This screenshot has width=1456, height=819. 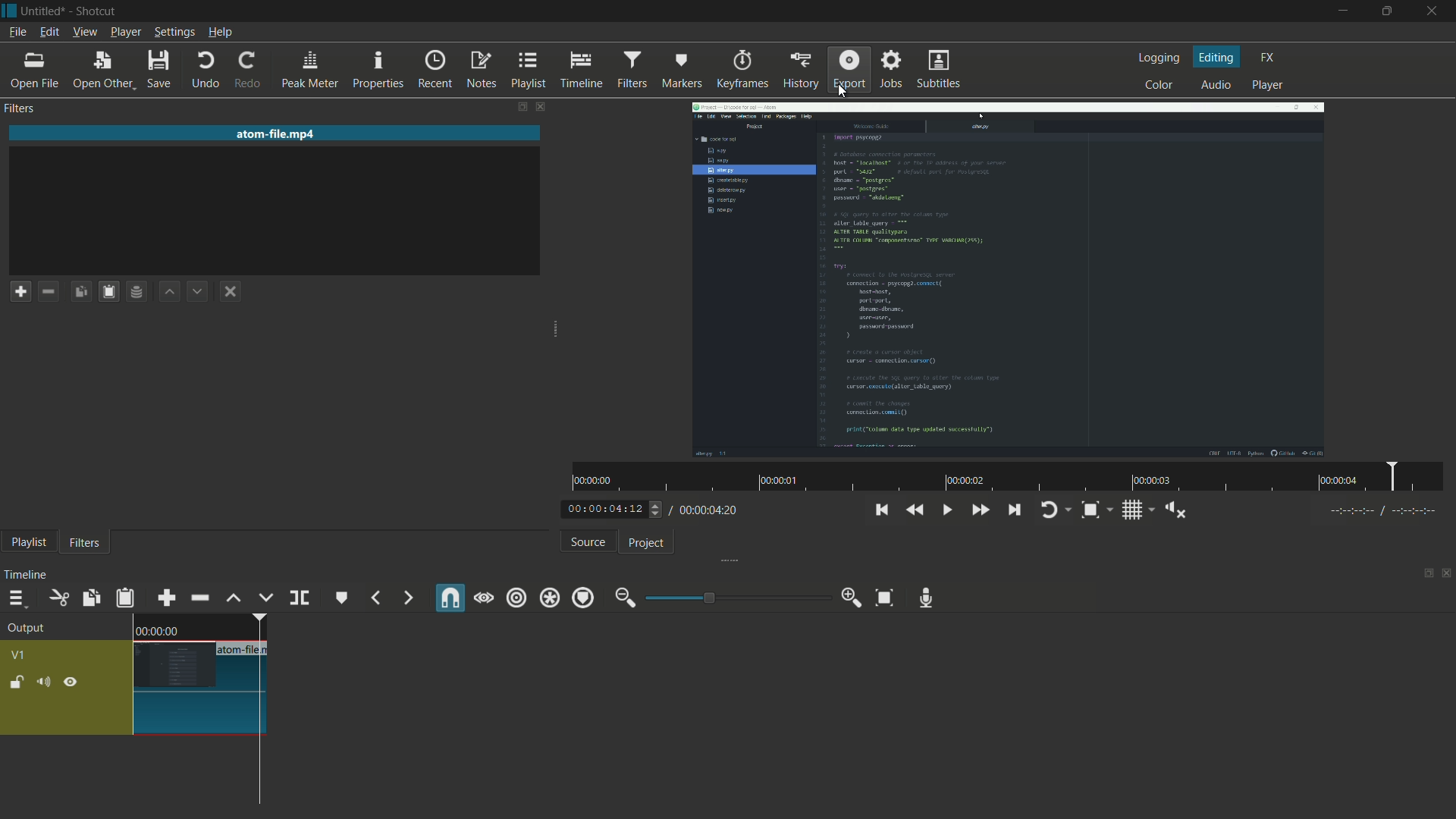 What do you see at coordinates (94, 11) in the screenshot?
I see `app name` at bounding box center [94, 11].